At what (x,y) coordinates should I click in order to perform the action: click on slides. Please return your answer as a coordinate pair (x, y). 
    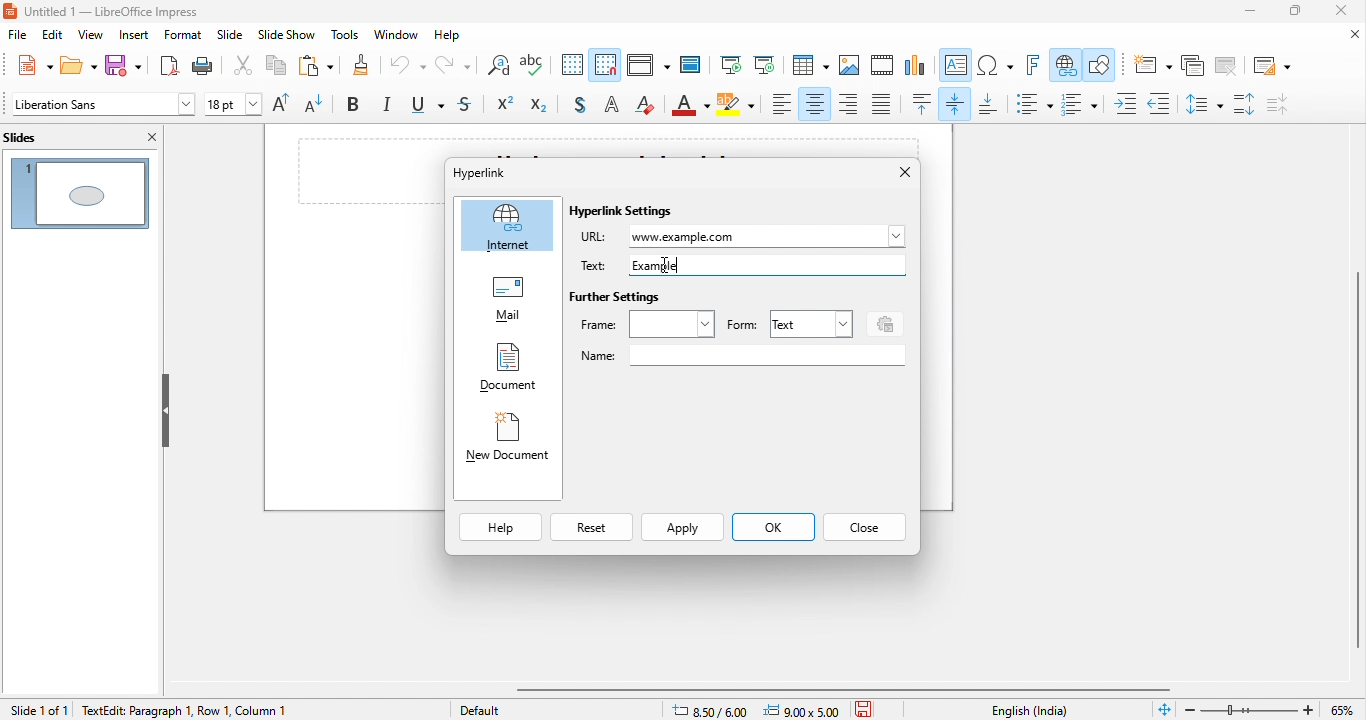
    Looking at the image, I should click on (38, 136).